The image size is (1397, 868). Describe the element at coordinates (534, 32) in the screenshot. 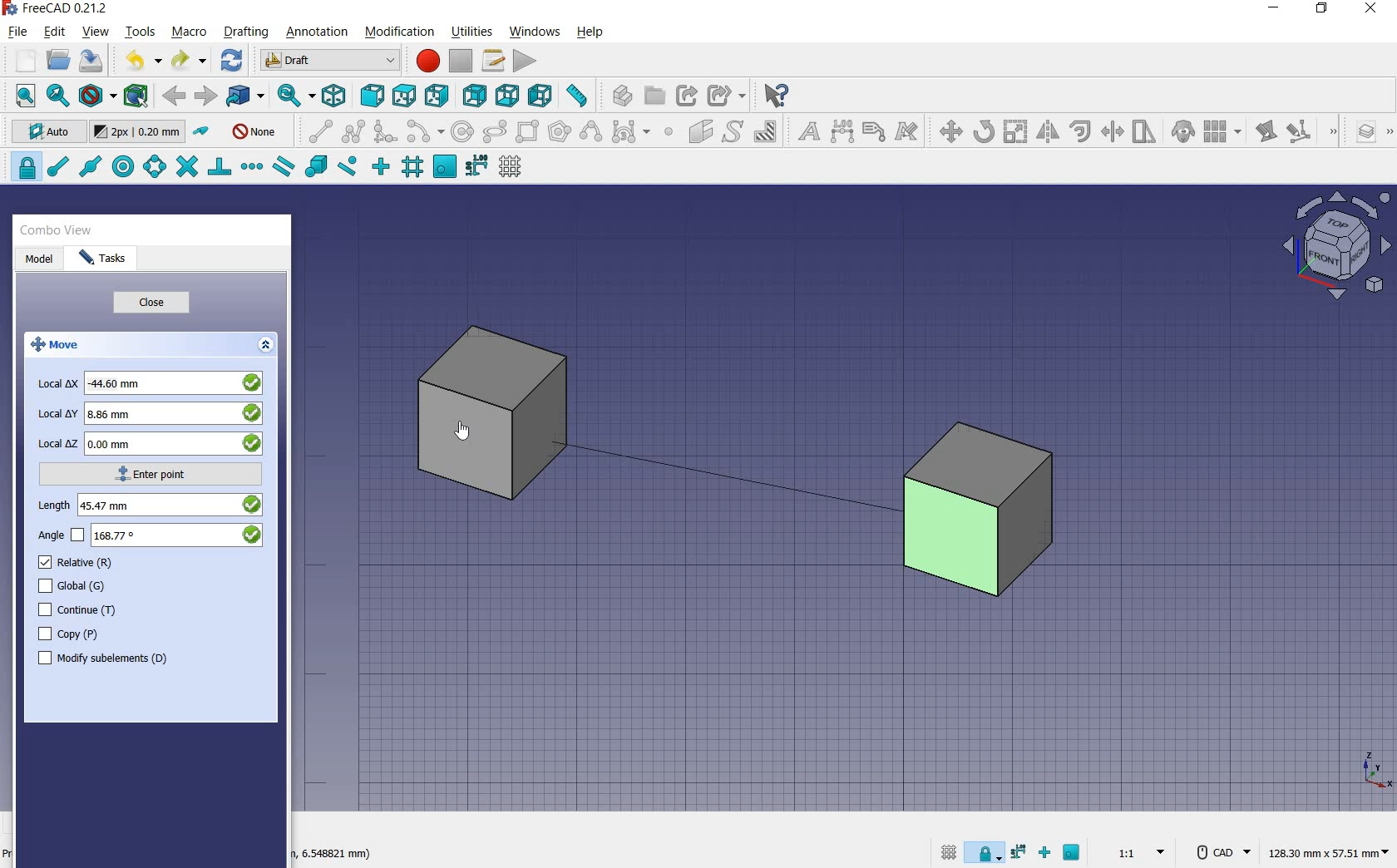

I see `windows` at that location.